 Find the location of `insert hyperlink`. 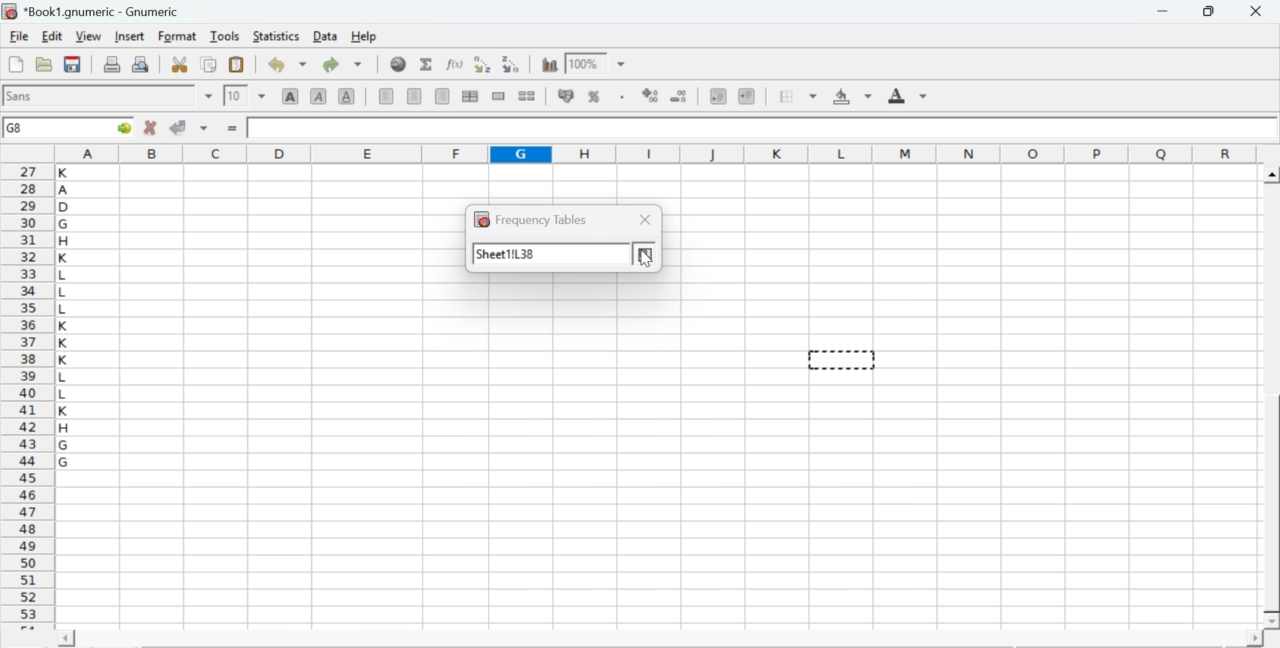

insert hyperlink is located at coordinates (399, 64).